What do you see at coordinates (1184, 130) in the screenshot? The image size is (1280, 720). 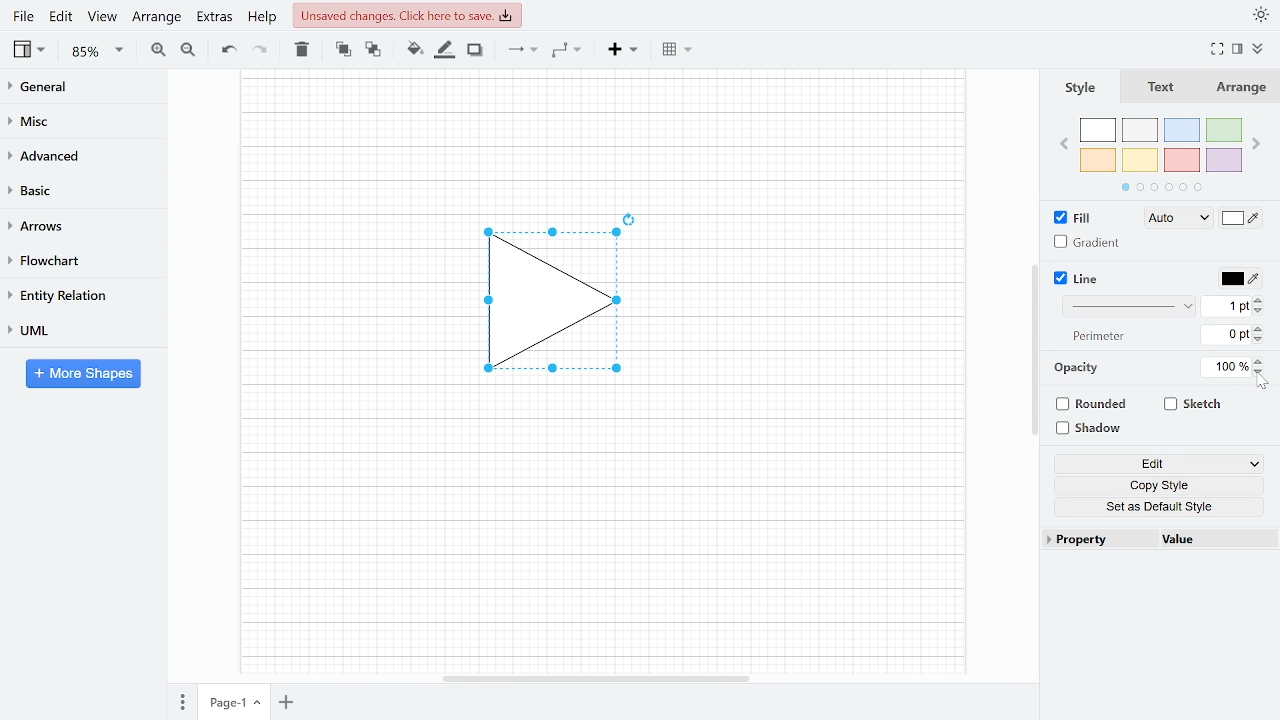 I see `blue` at bounding box center [1184, 130].